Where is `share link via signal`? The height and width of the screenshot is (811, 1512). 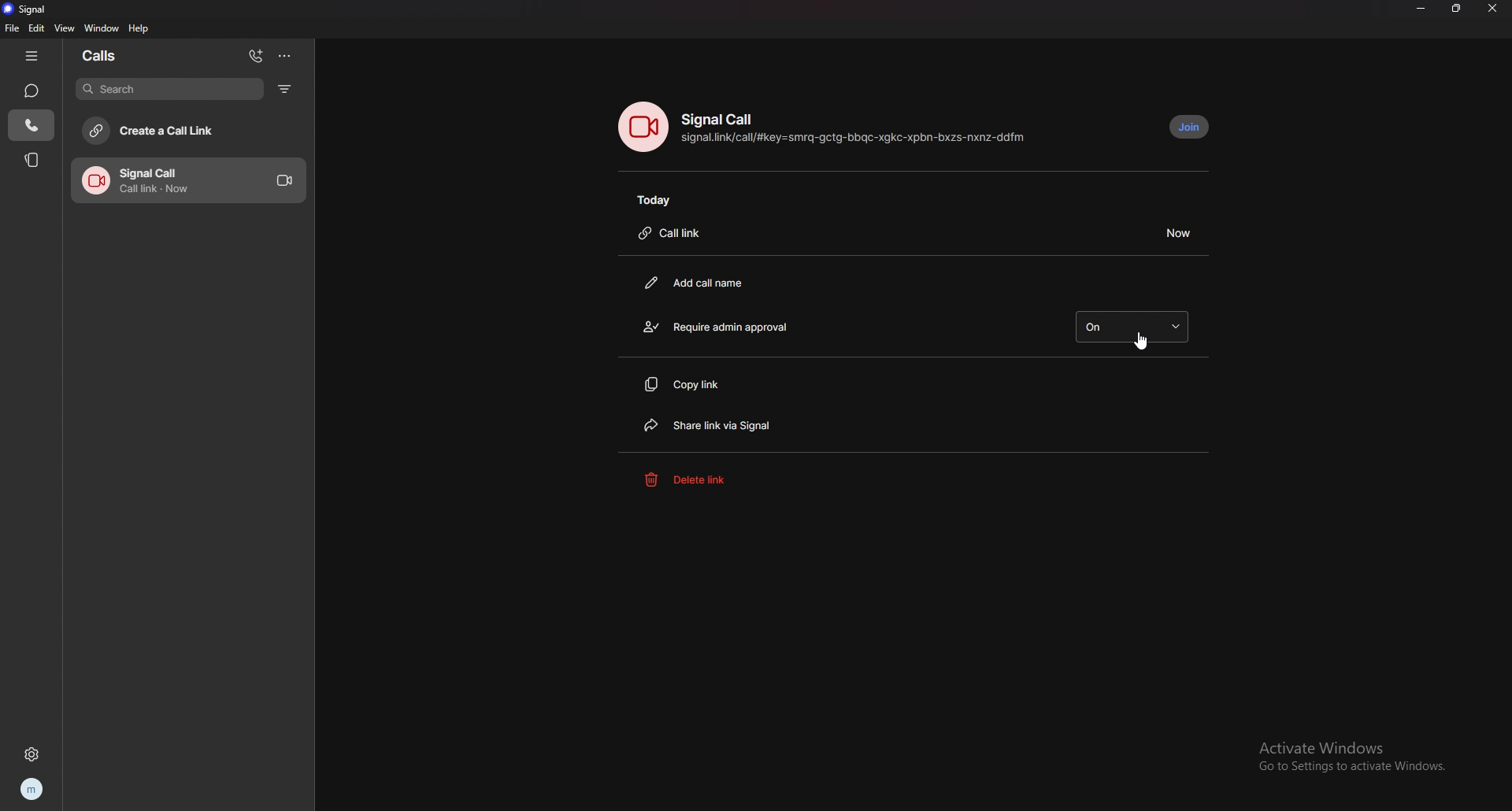
share link via signal is located at coordinates (717, 423).